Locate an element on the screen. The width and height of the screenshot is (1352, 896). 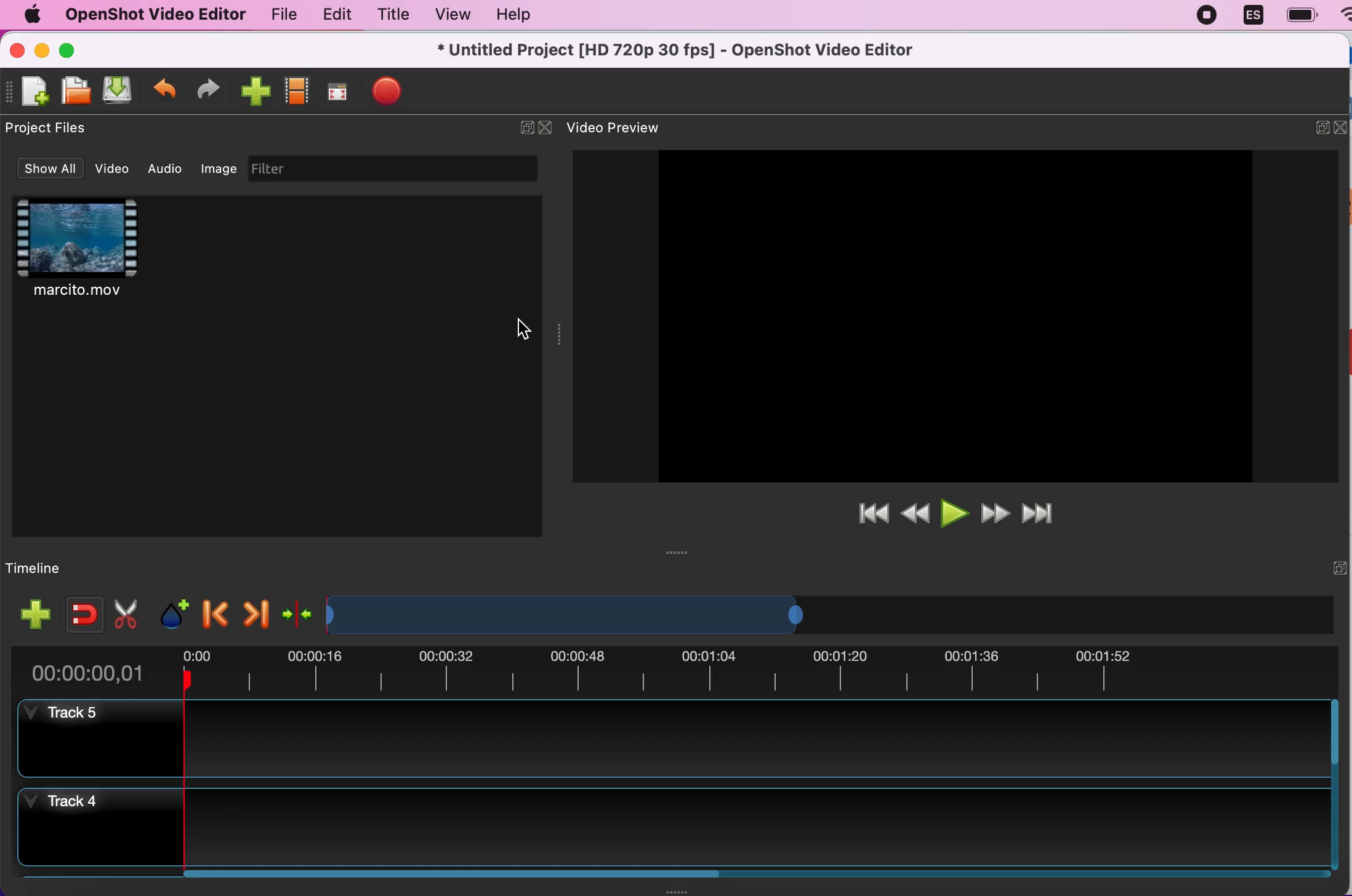
video preview is located at coordinates (635, 126).